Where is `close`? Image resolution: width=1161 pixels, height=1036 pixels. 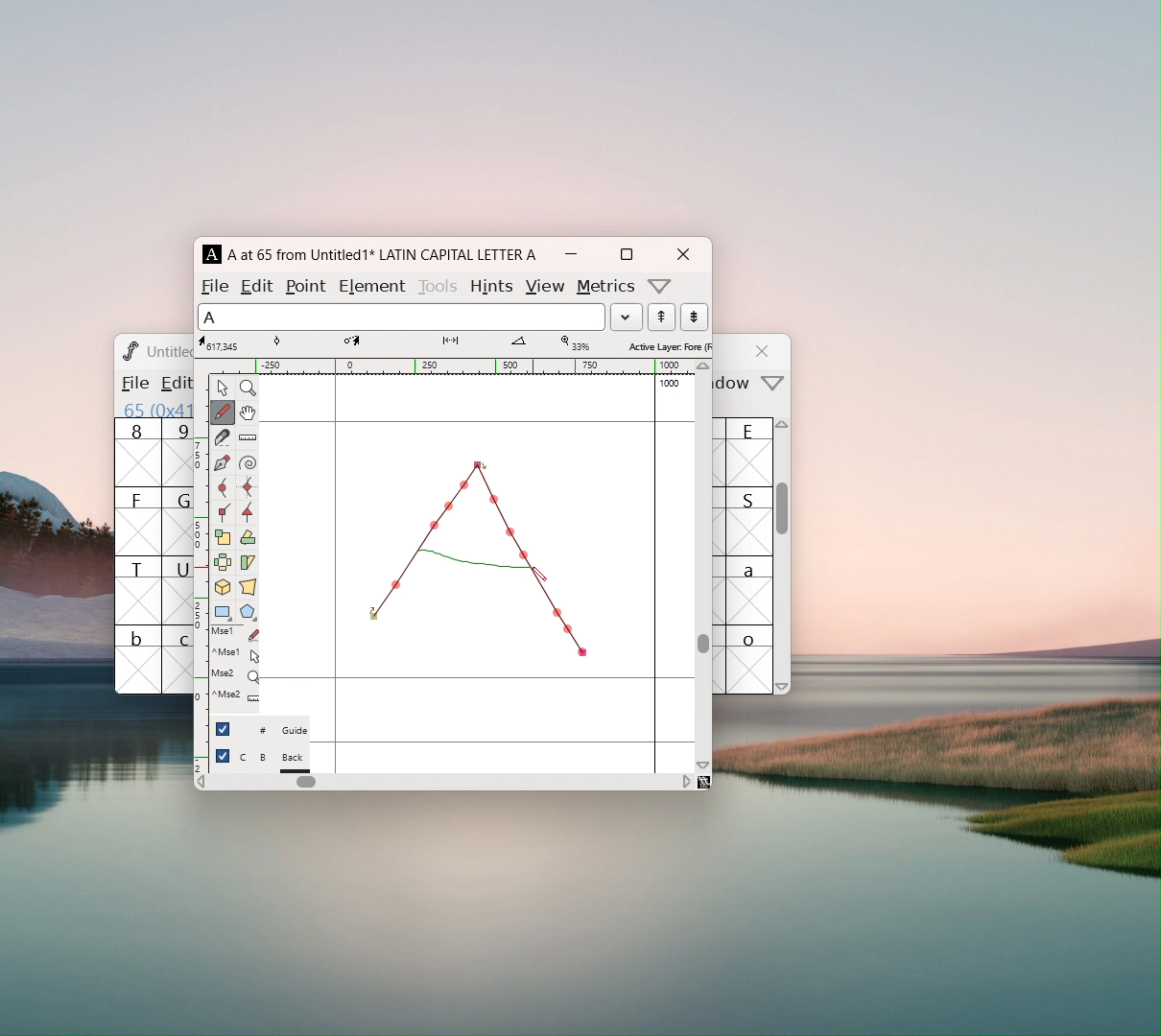 close is located at coordinates (765, 351).